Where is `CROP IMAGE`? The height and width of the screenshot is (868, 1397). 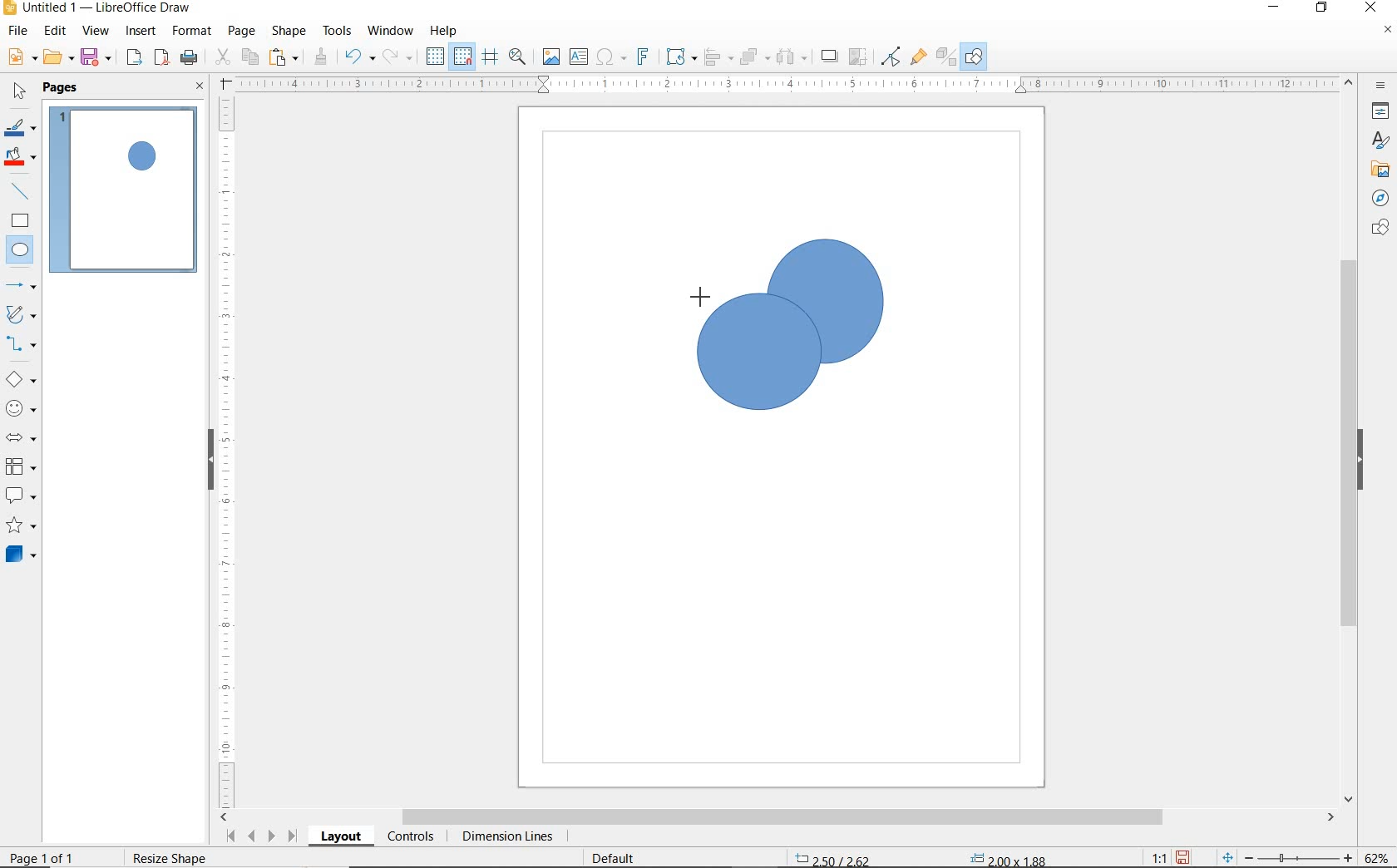 CROP IMAGE is located at coordinates (857, 57).